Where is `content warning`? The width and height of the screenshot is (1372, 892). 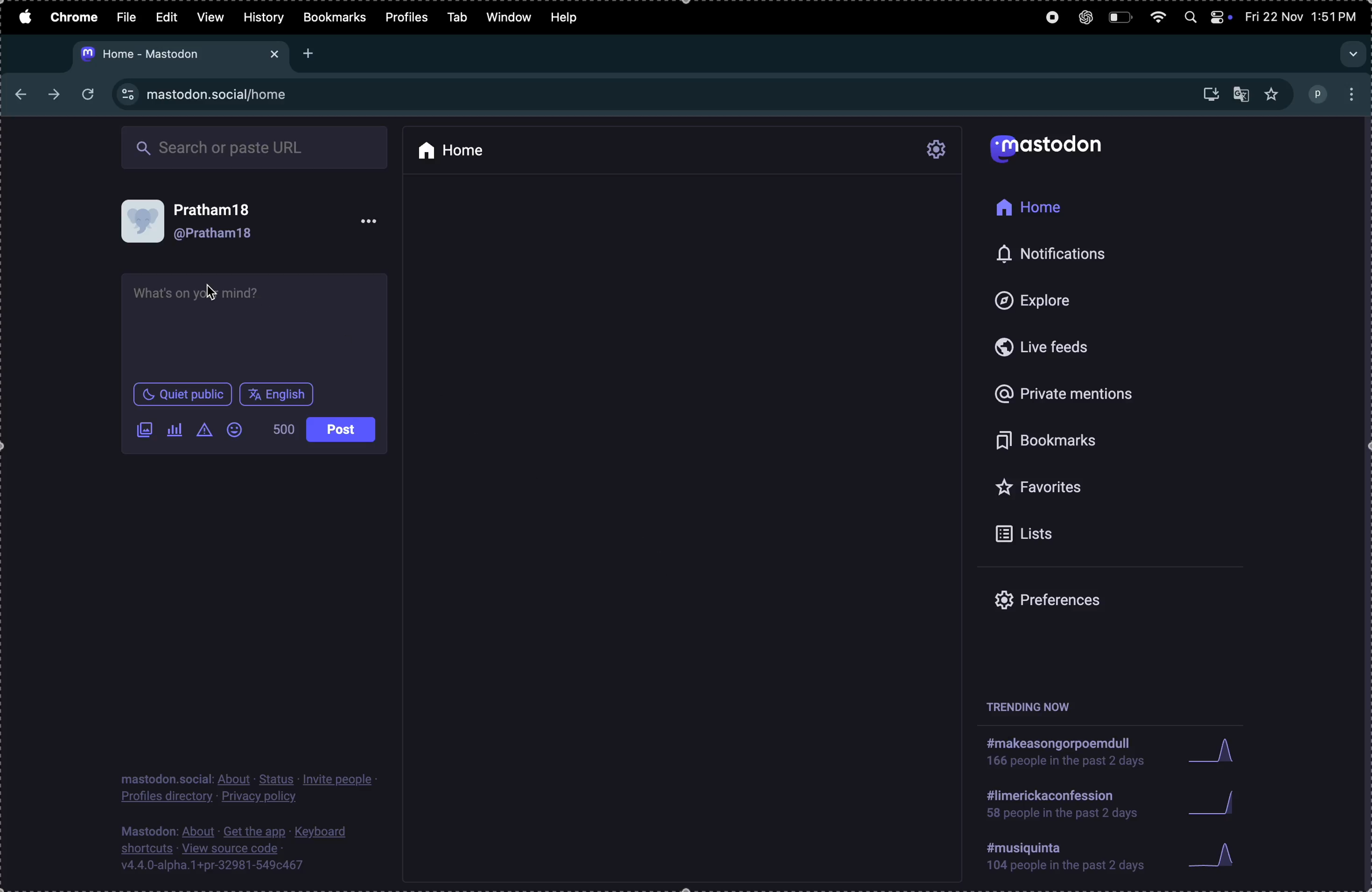 content warning is located at coordinates (202, 430).